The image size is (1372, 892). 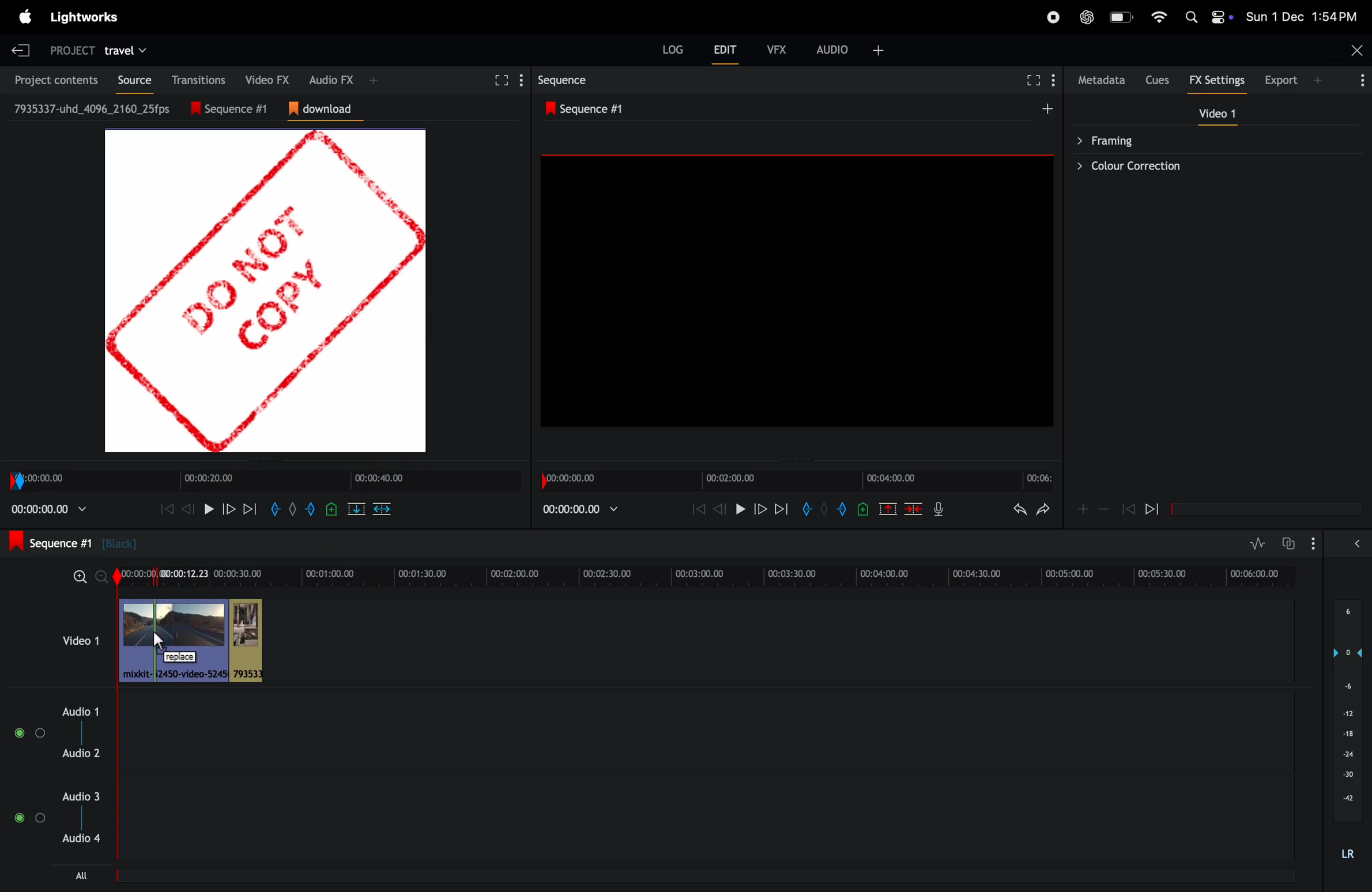 I want to click on next frame, so click(x=782, y=508).